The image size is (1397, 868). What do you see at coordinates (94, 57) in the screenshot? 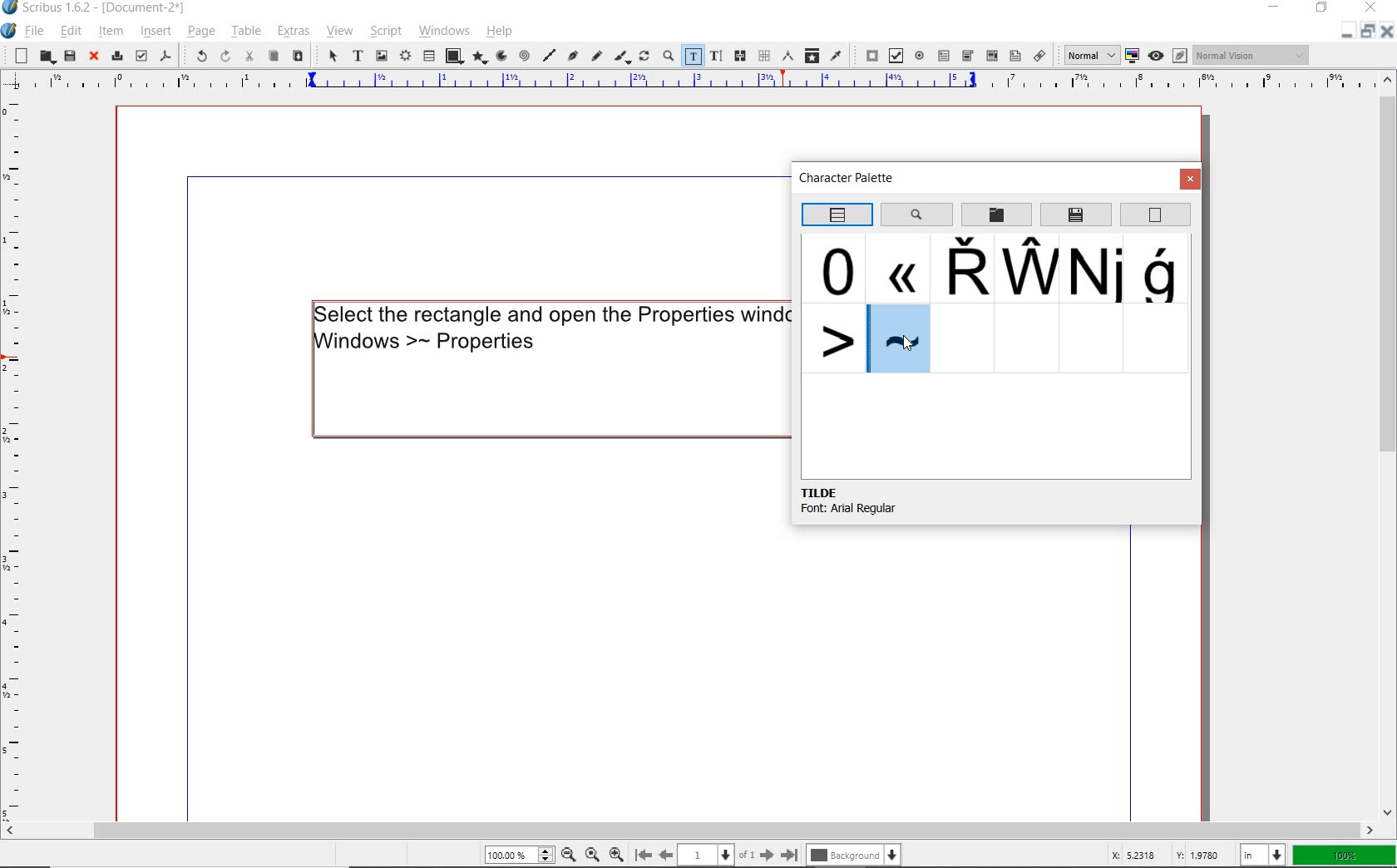
I see `close` at bounding box center [94, 57].